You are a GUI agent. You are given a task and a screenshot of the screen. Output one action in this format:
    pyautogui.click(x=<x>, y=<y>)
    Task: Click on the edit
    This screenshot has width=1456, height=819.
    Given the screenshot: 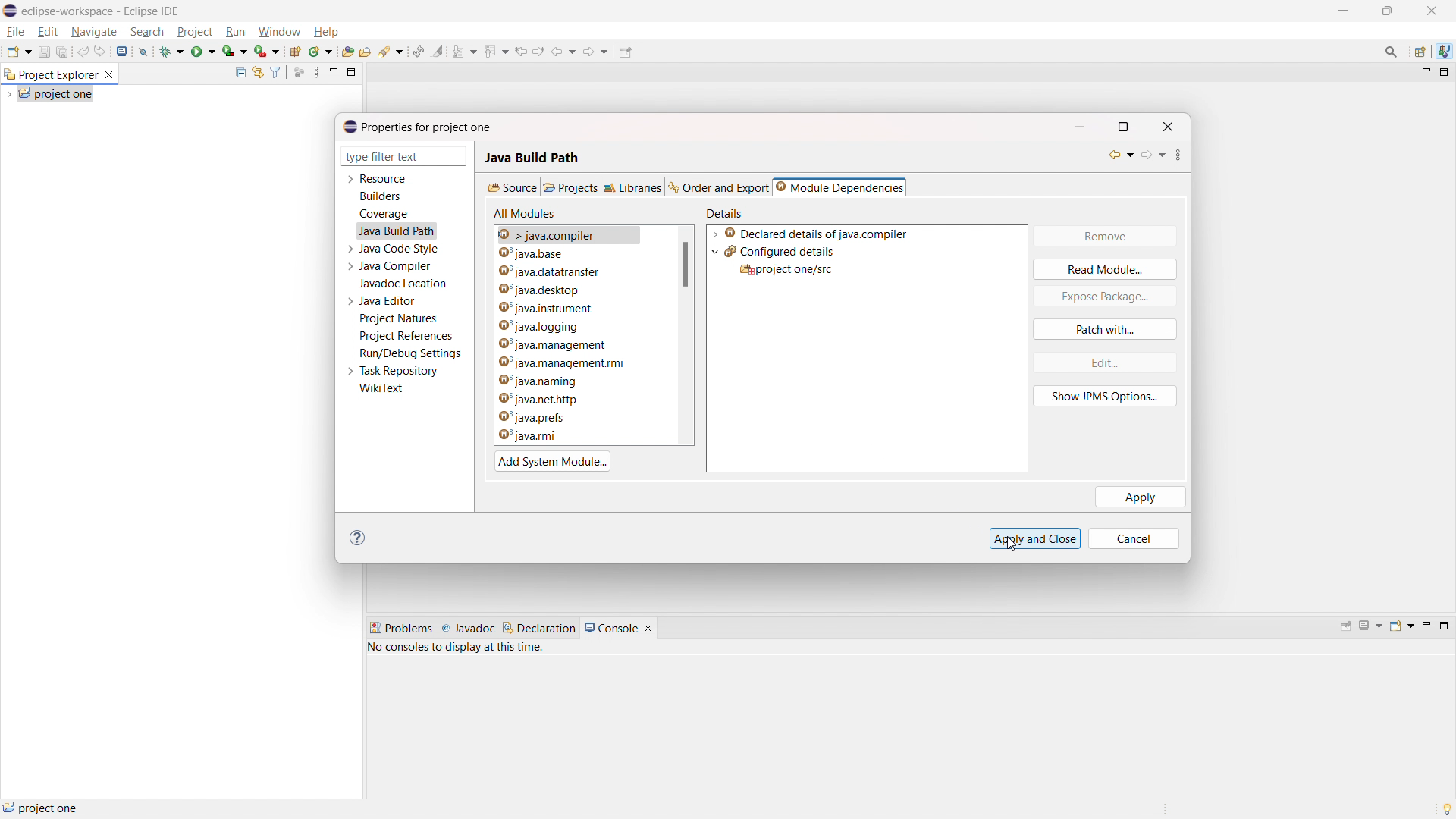 What is the action you would take?
    pyautogui.click(x=1103, y=362)
    